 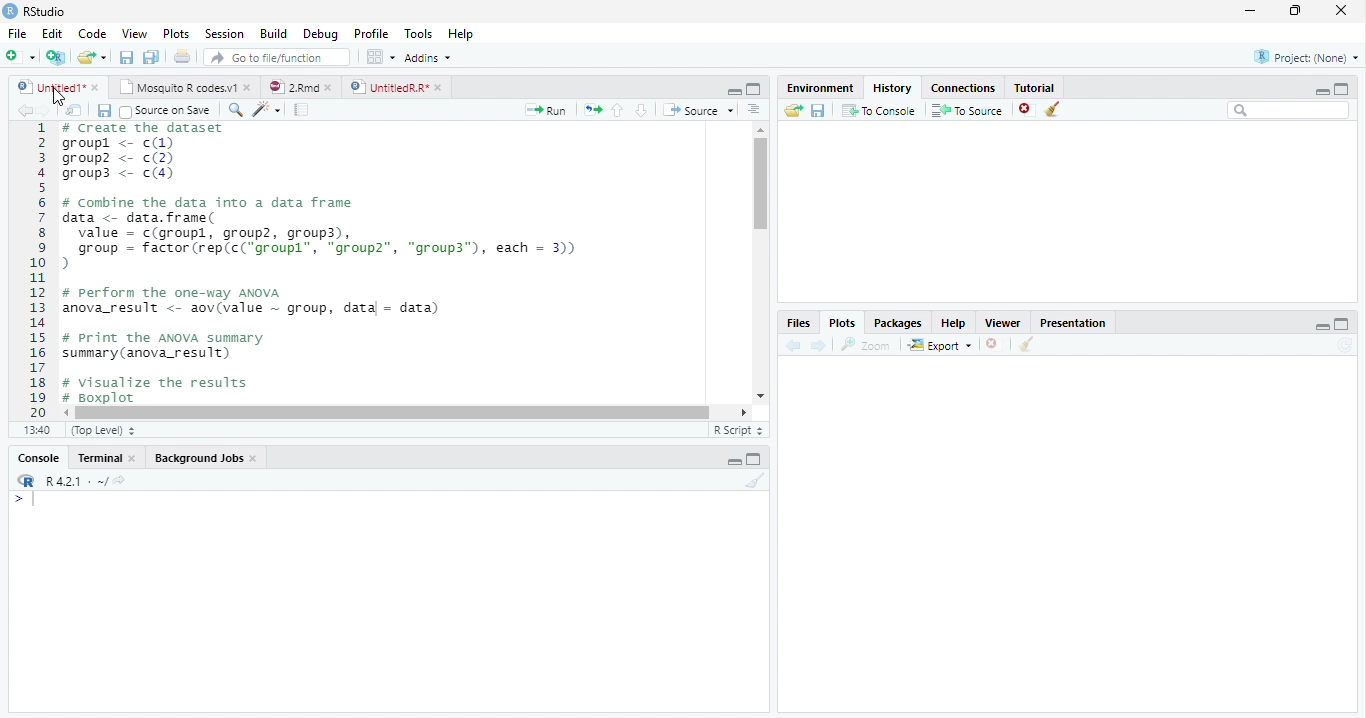 What do you see at coordinates (1024, 345) in the screenshot?
I see `Clear Console` at bounding box center [1024, 345].